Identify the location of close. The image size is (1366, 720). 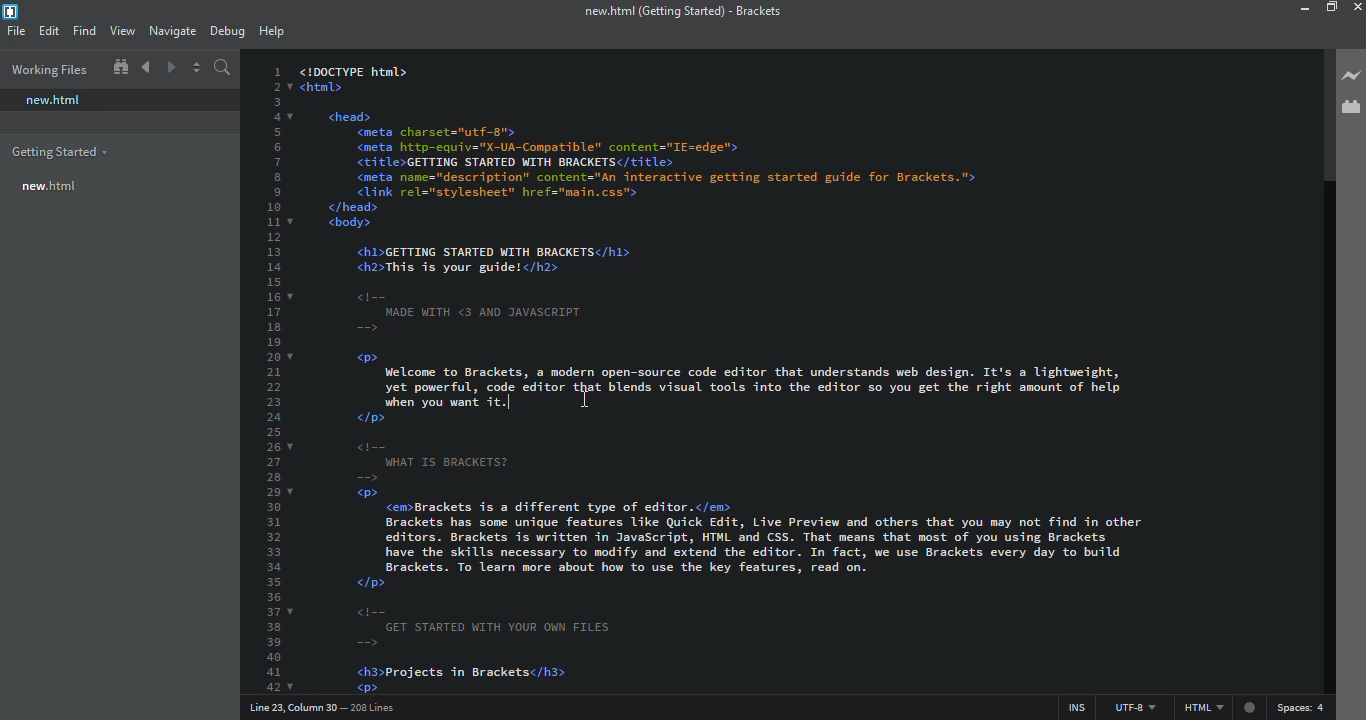
(1361, 6).